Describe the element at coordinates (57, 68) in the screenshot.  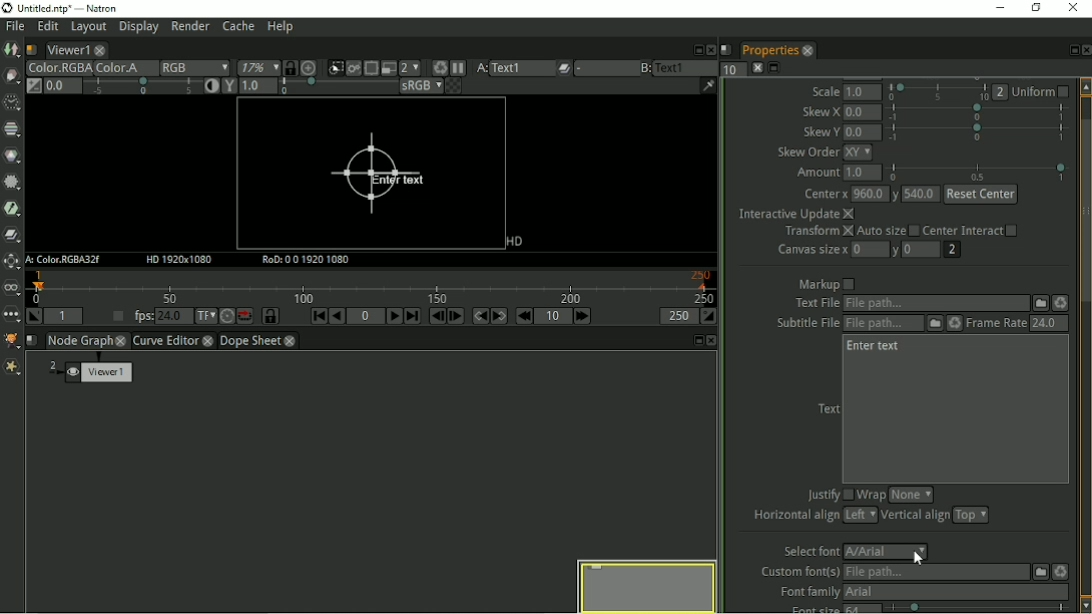
I see `Color.RGBA` at that location.